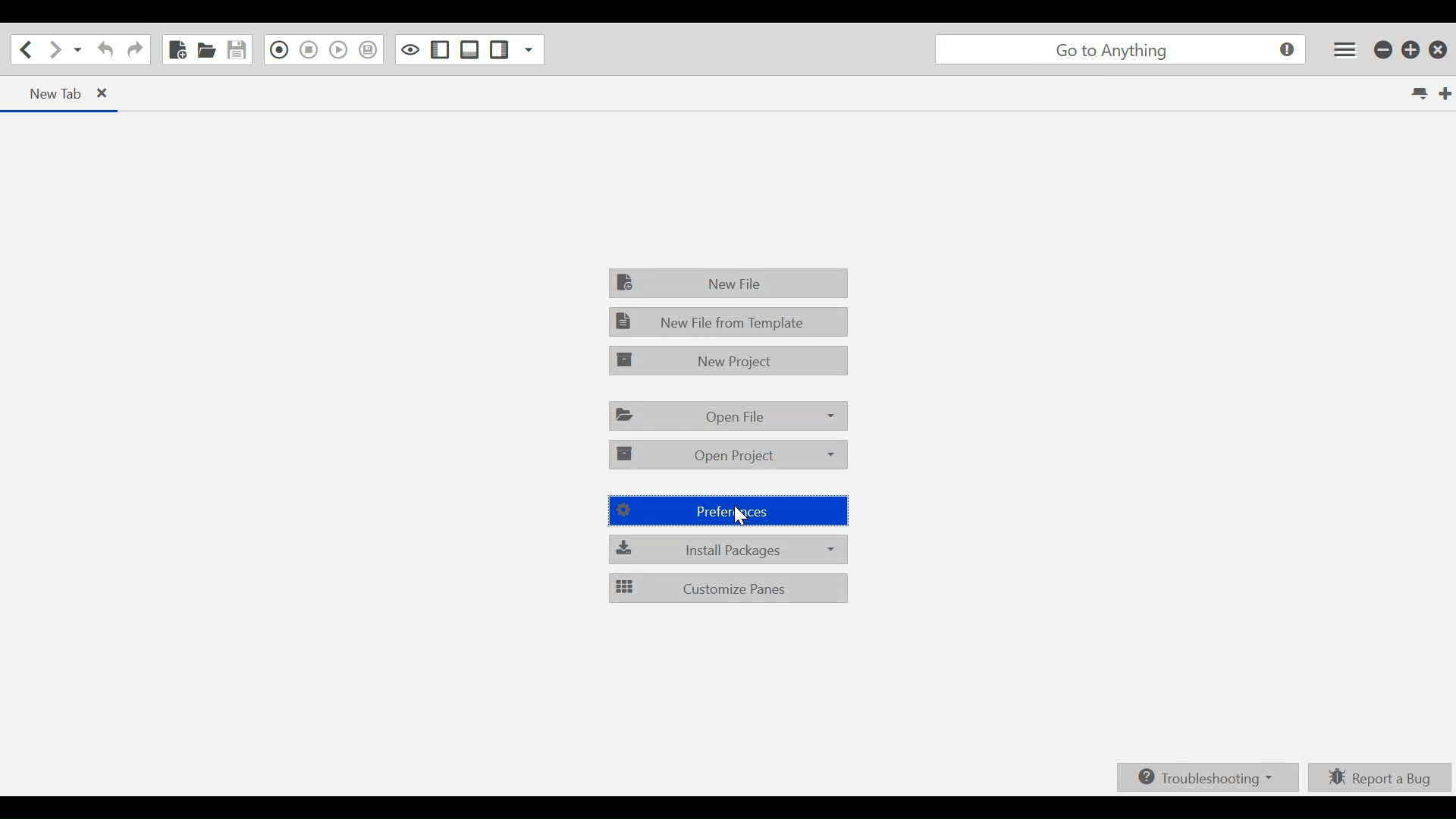  I want to click on New File From Template, so click(729, 322).